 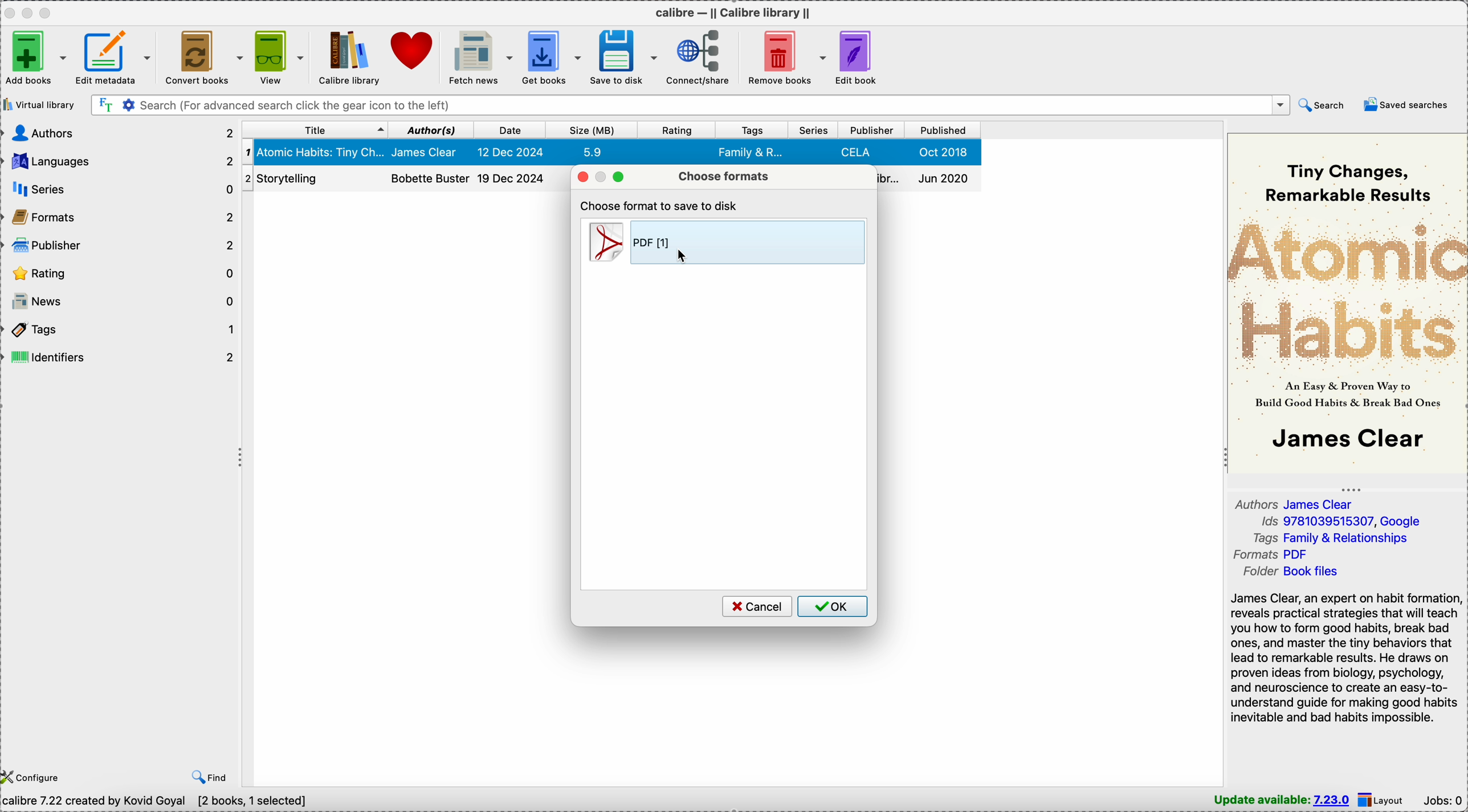 What do you see at coordinates (478, 56) in the screenshot?
I see `fetch news` at bounding box center [478, 56].